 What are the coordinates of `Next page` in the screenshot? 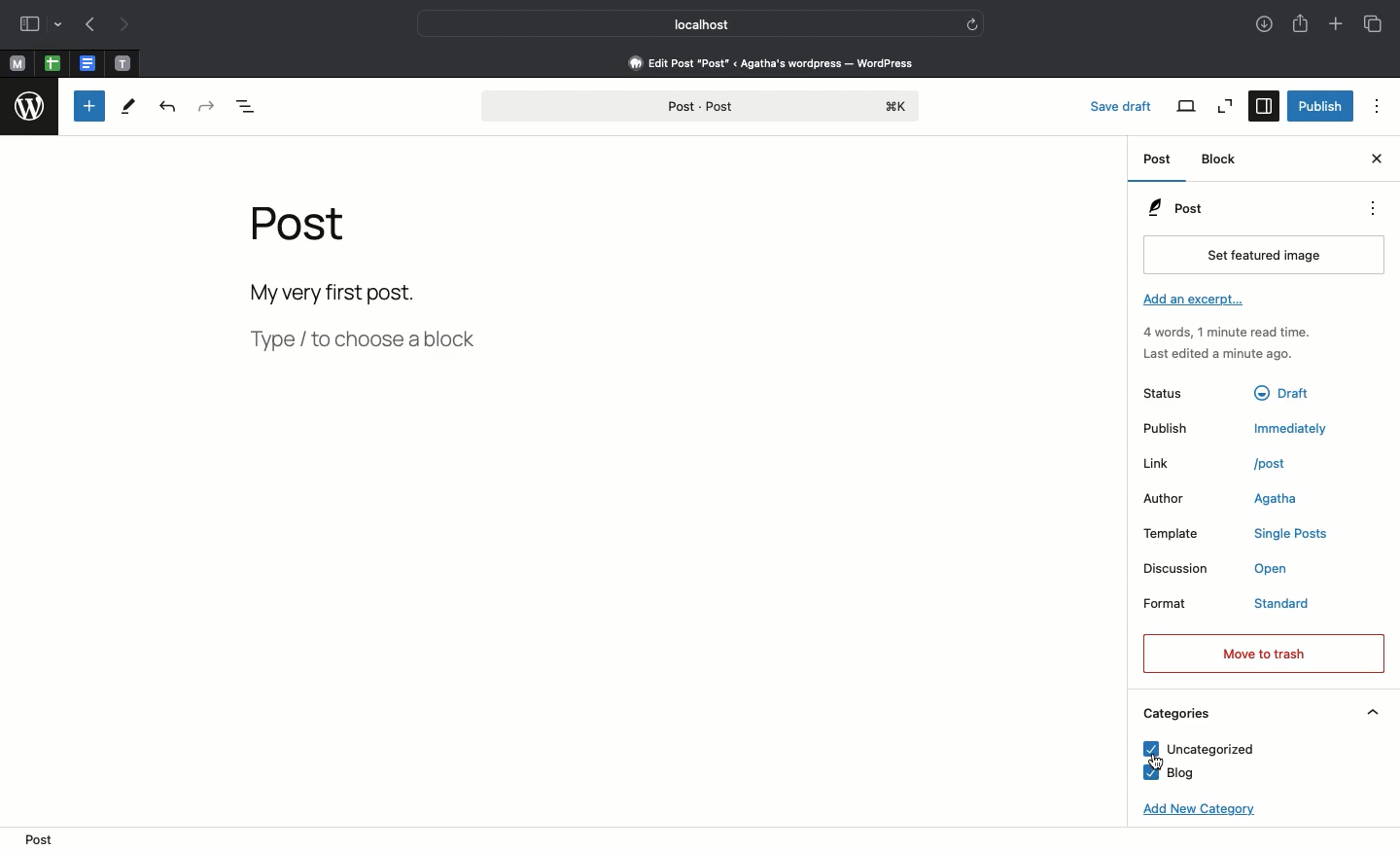 It's located at (130, 25).